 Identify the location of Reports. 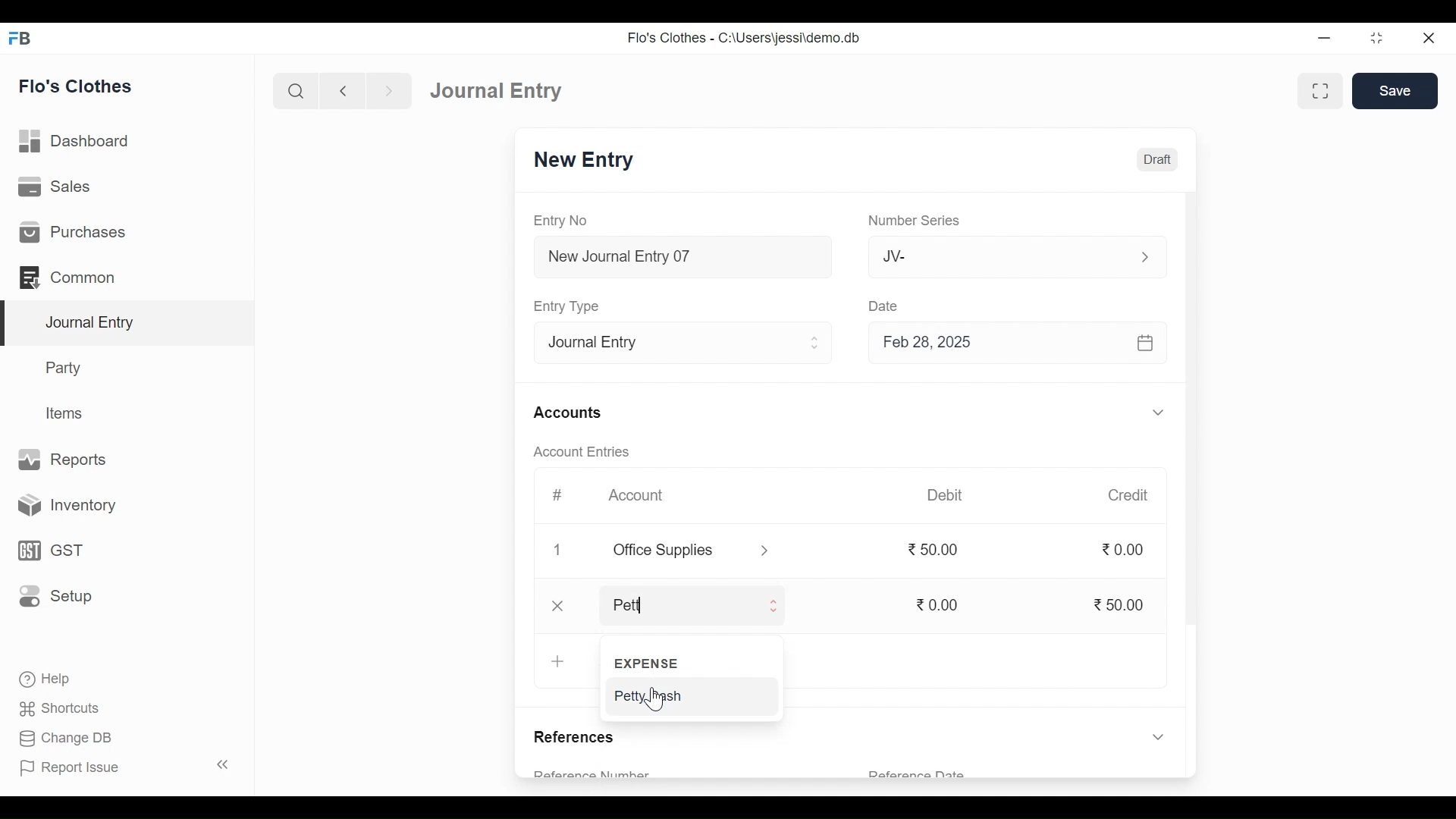
(64, 458).